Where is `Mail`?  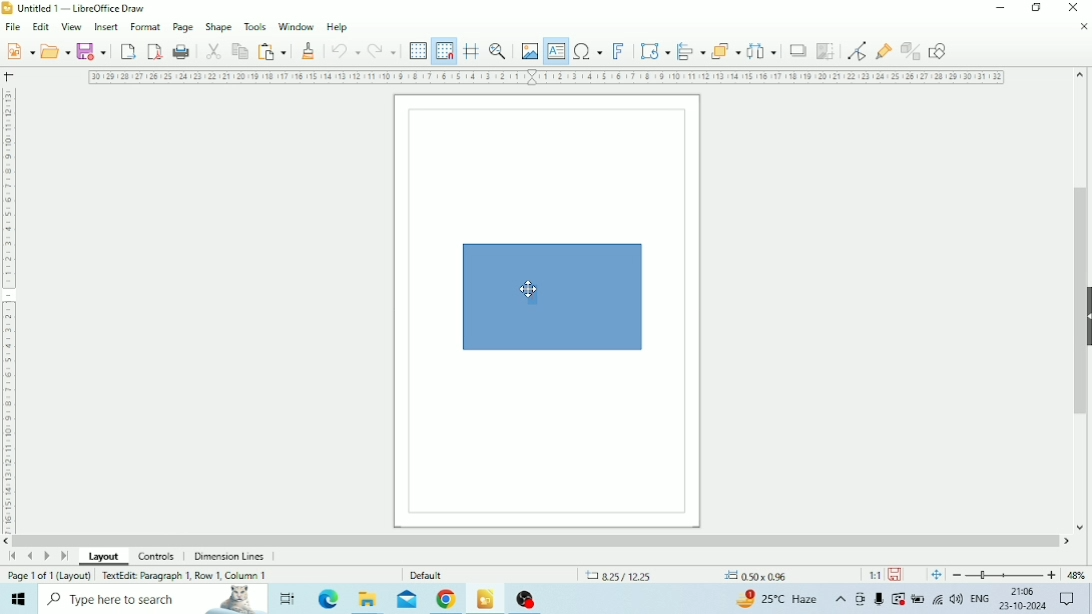 Mail is located at coordinates (405, 600).